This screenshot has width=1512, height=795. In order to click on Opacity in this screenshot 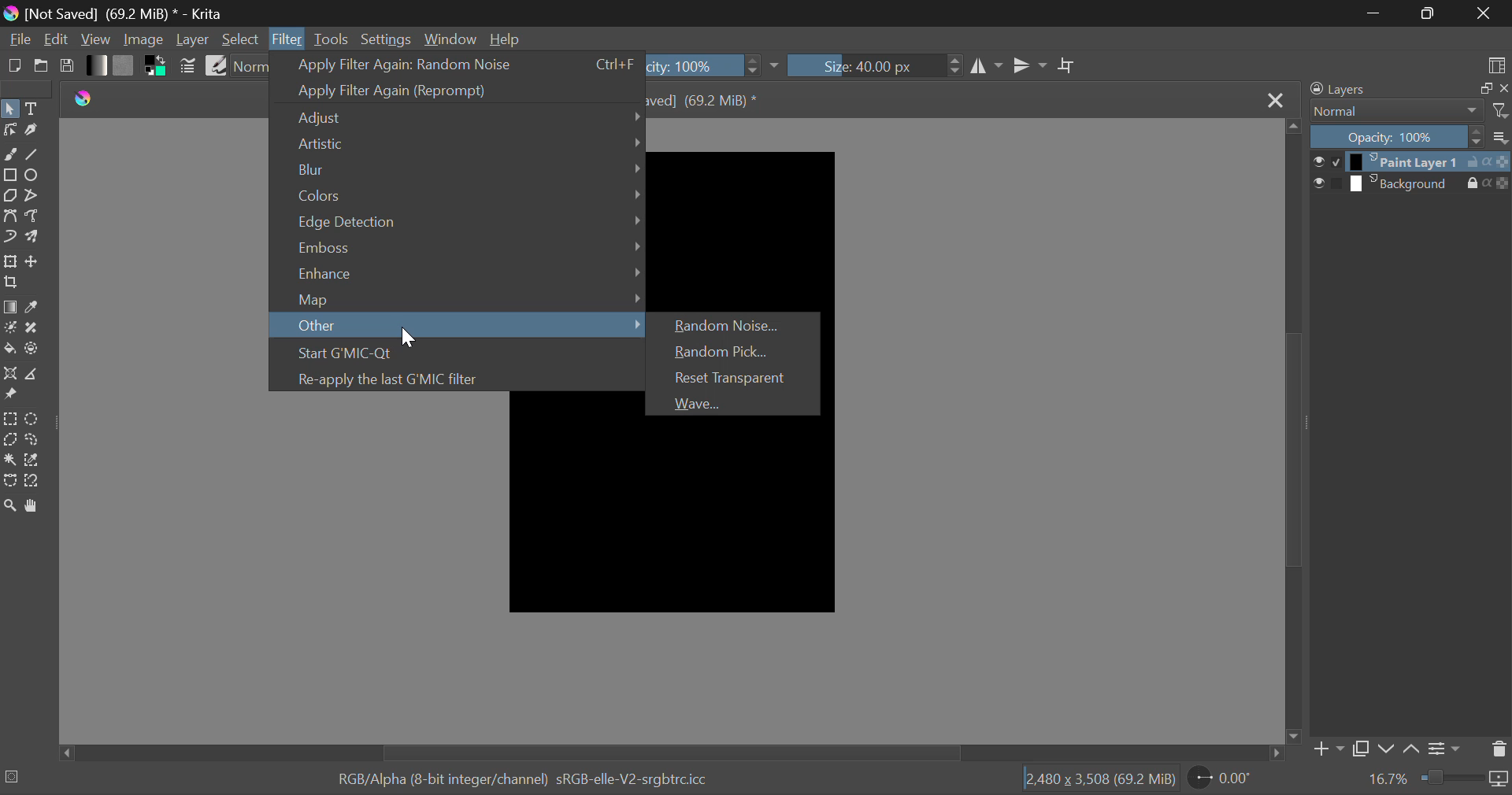, I will do `click(1395, 136)`.